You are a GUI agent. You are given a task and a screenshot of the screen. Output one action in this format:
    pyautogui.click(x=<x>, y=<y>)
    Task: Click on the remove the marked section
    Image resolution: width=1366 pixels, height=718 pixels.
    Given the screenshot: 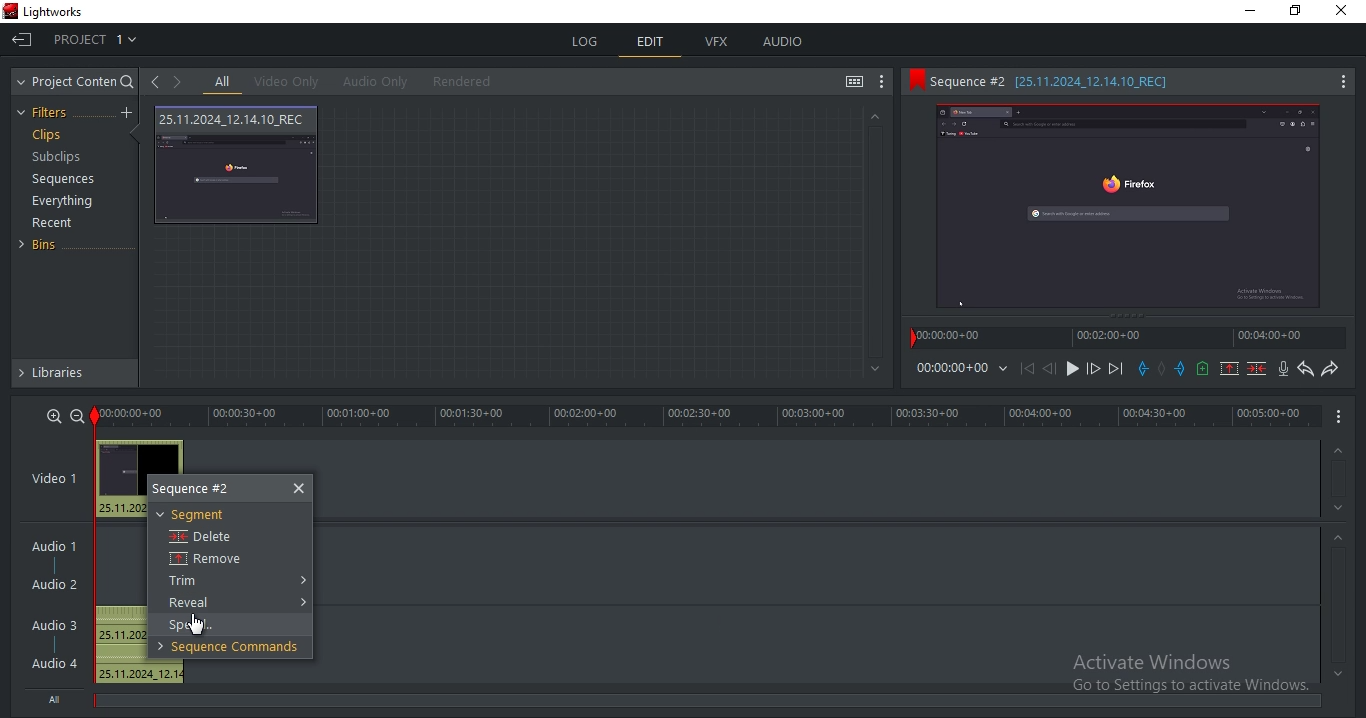 What is the action you would take?
    pyautogui.click(x=1230, y=369)
    